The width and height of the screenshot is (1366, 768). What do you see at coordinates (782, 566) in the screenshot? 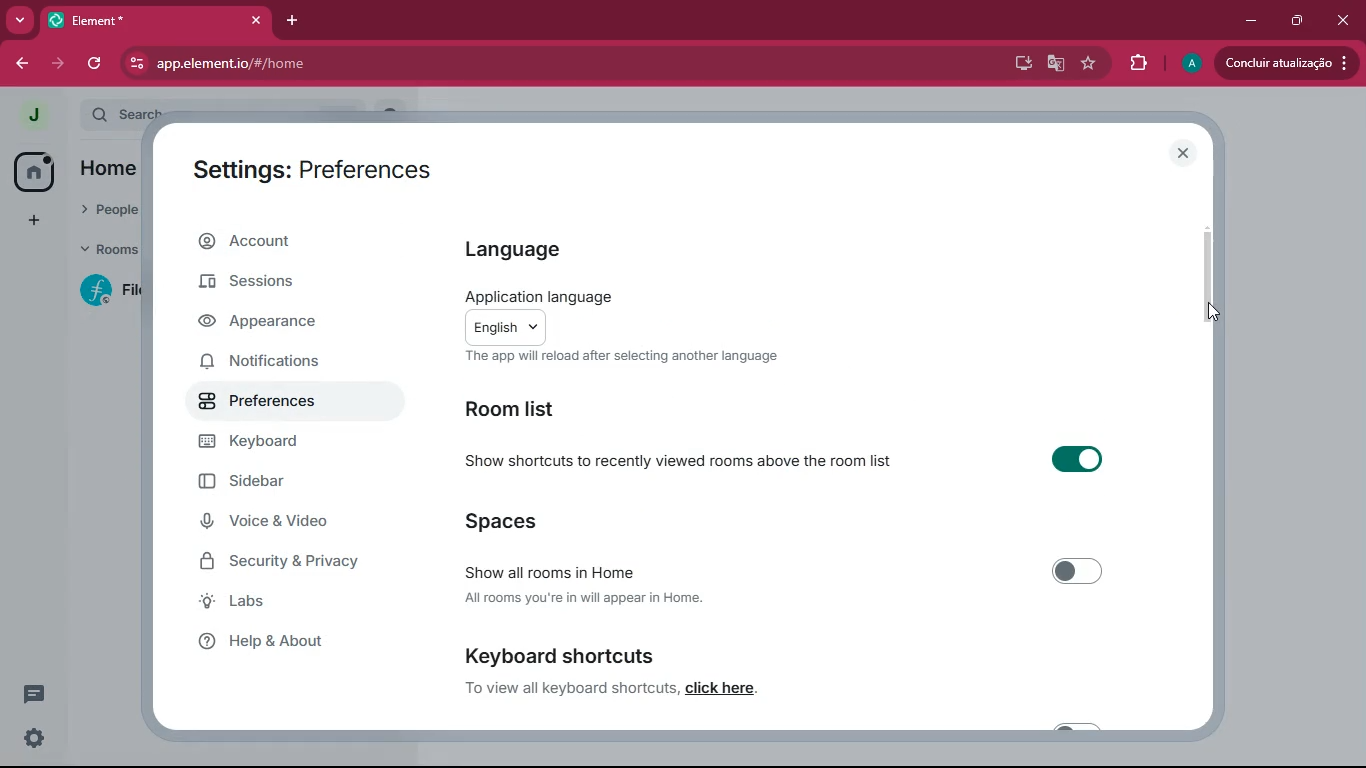
I see `show all rooms in home` at bounding box center [782, 566].